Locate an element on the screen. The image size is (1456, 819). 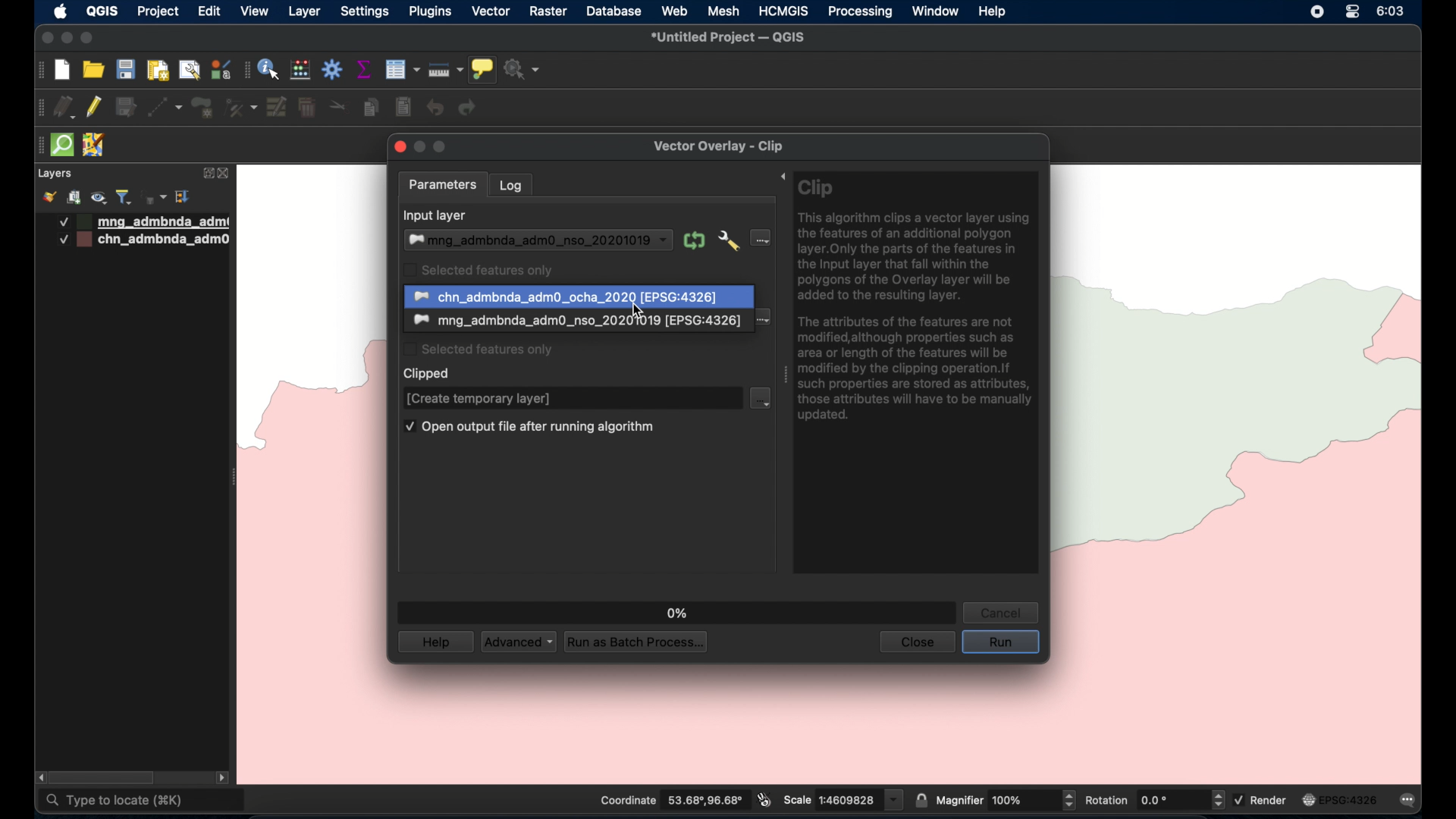
0% is located at coordinates (678, 613).